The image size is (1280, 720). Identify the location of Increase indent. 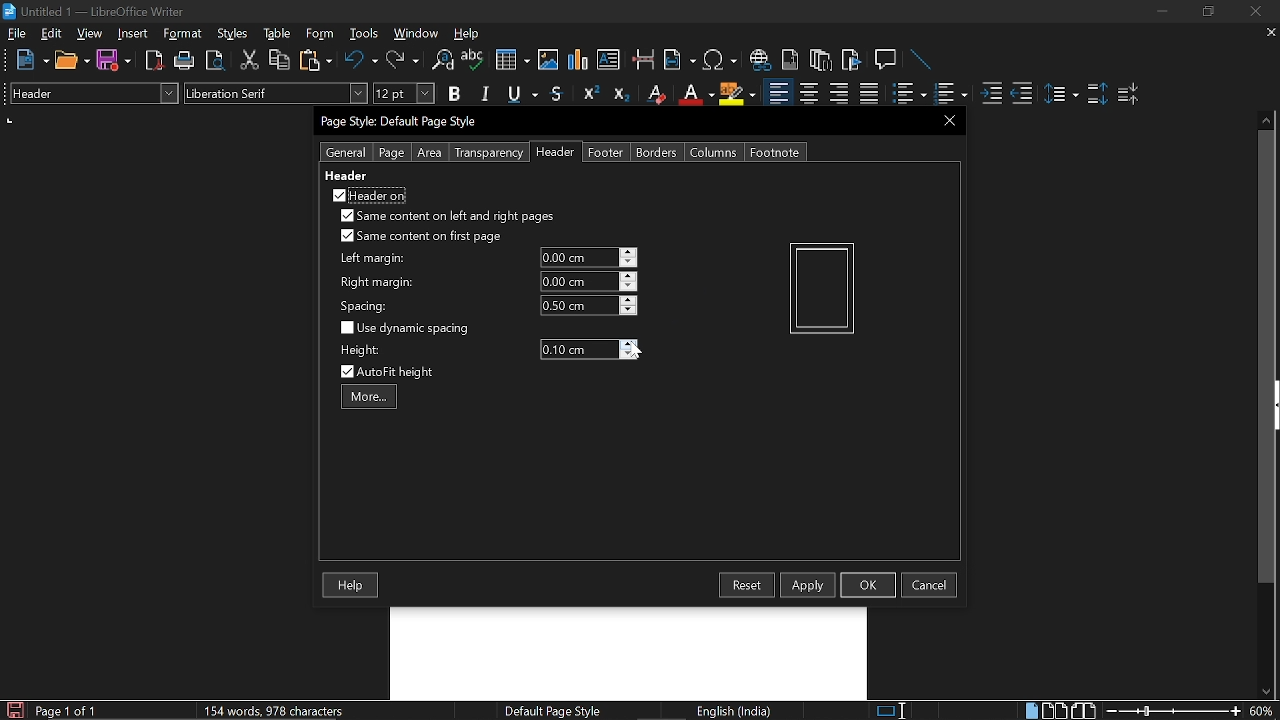
(990, 93).